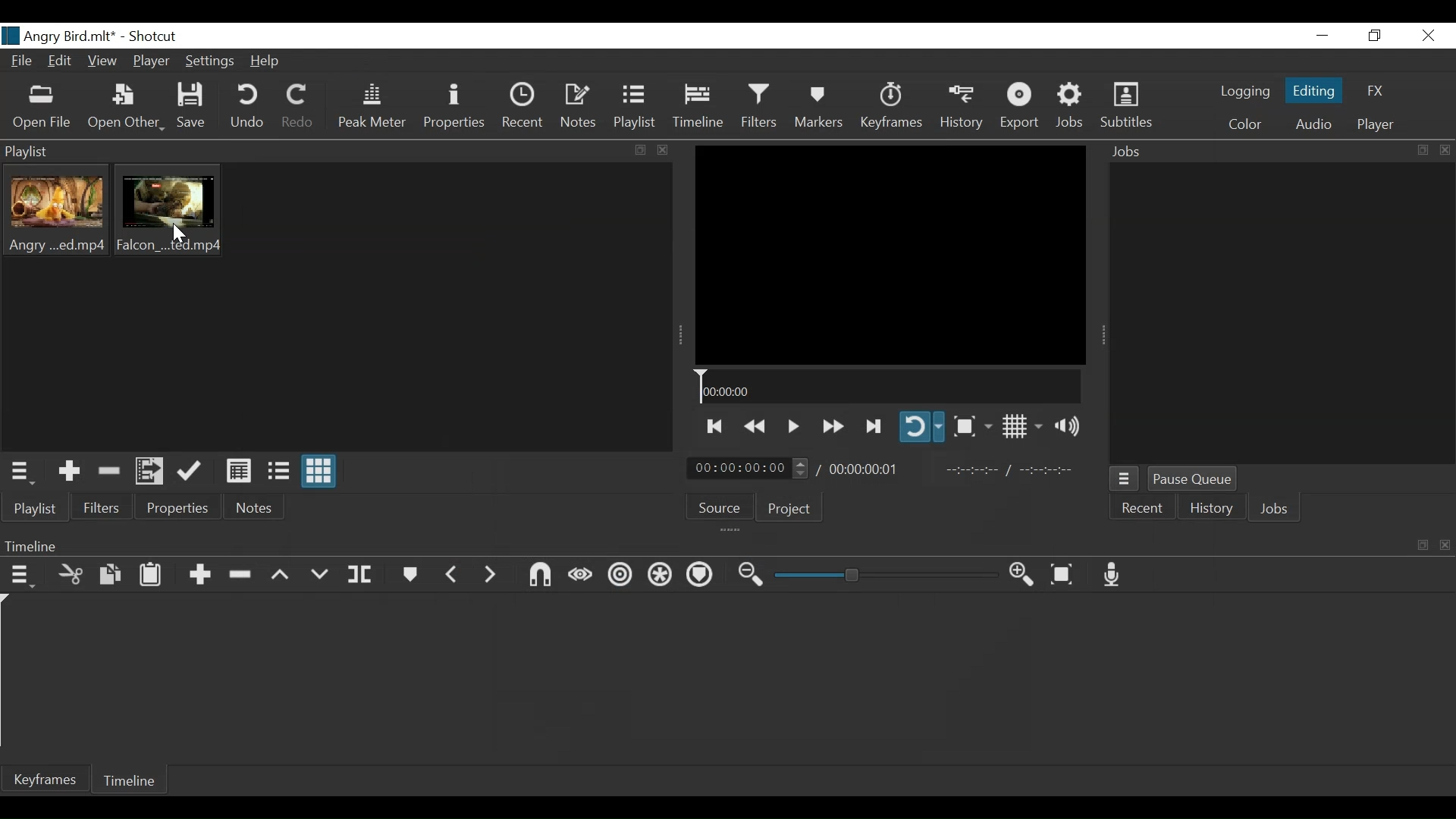 The height and width of the screenshot is (819, 1456). What do you see at coordinates (242, 576) in the screenshot?
I see `Remove cut` at bounding box center [242, 576].